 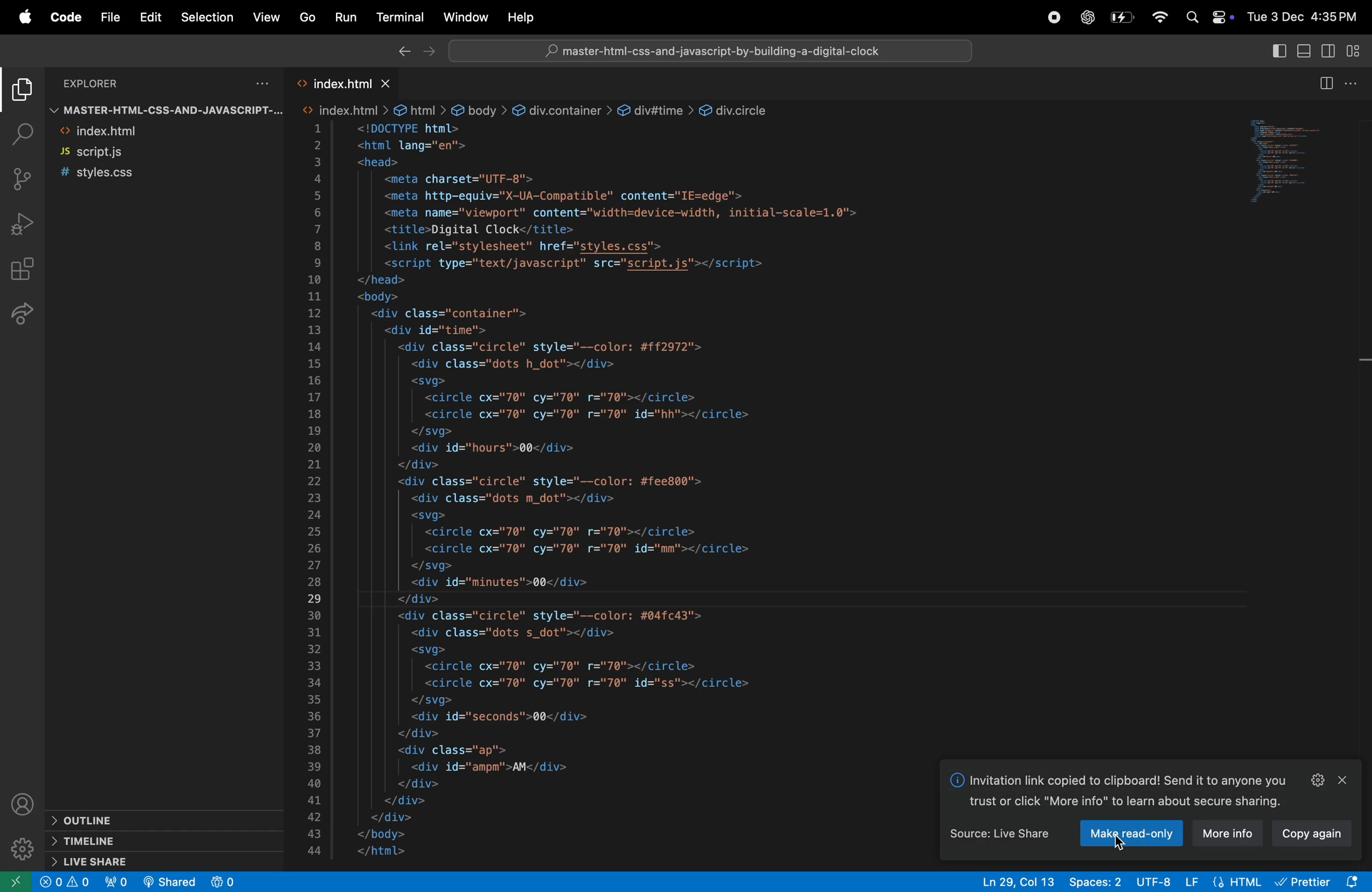 I want to click on space 2, so click(x=1097, y=880).